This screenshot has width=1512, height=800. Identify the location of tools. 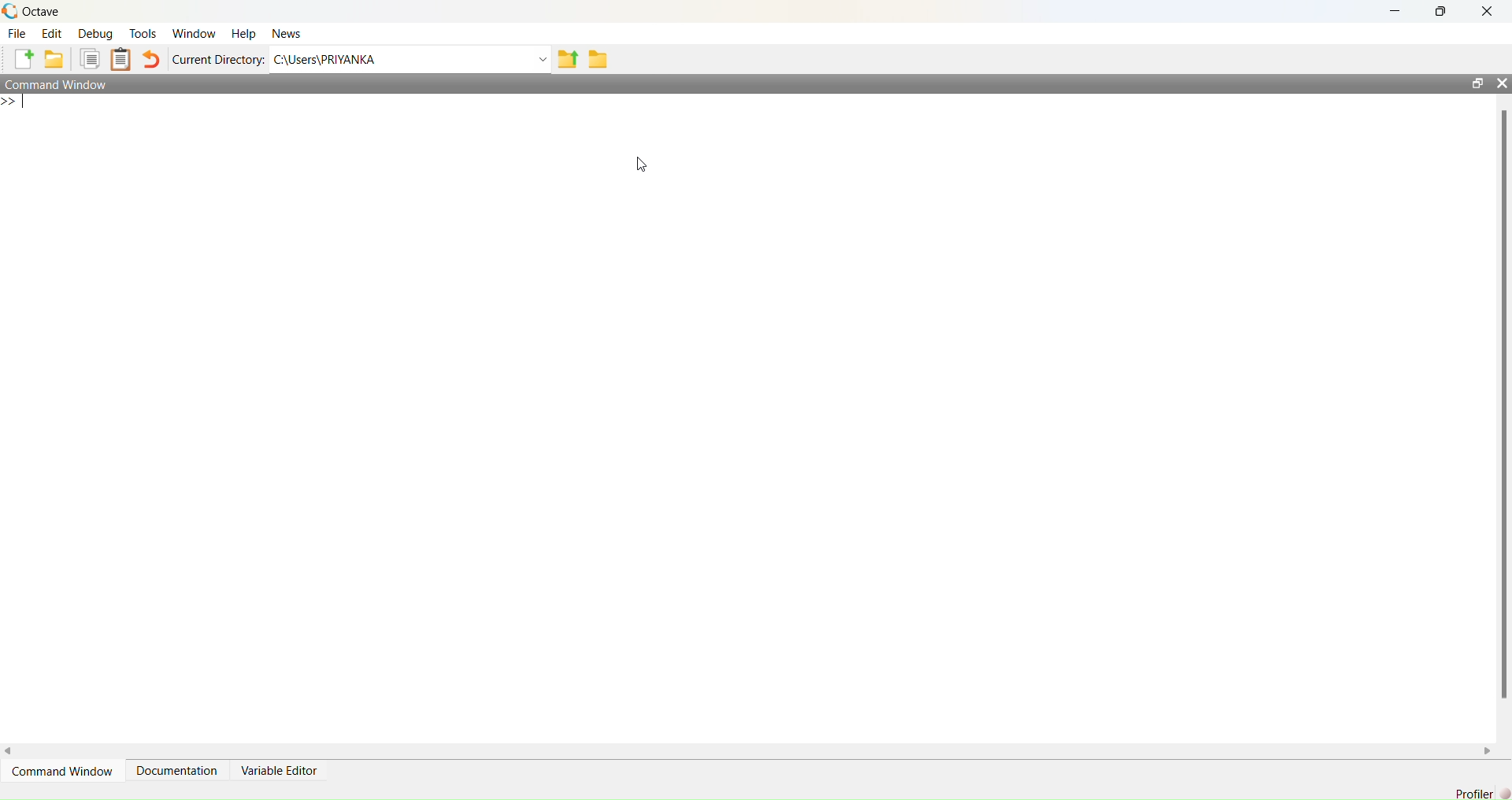
(142, 32).